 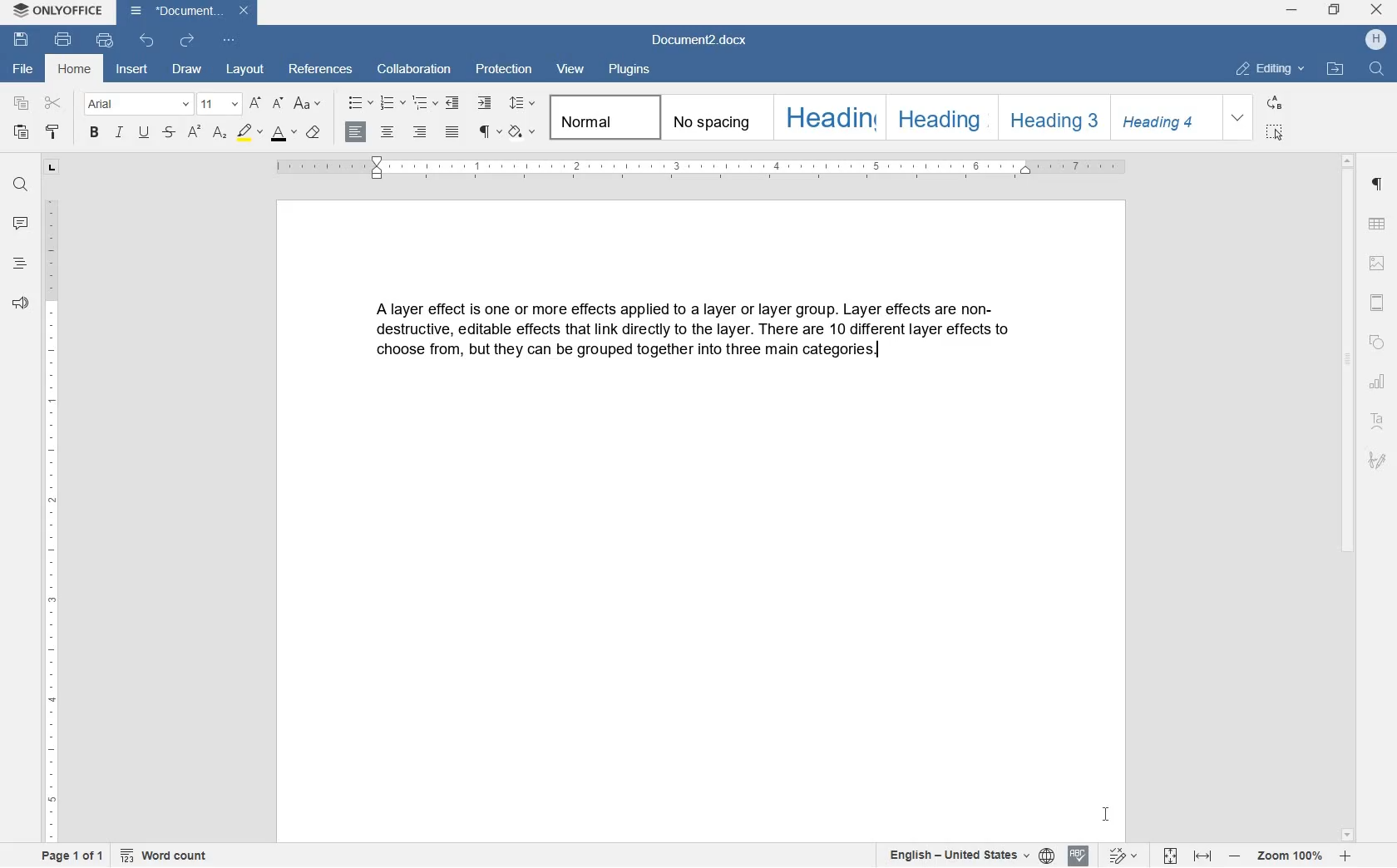 What do you see at coordinates (23, 133) in the screenshot?
I see `PASTE` at bounding box center [23, 133].